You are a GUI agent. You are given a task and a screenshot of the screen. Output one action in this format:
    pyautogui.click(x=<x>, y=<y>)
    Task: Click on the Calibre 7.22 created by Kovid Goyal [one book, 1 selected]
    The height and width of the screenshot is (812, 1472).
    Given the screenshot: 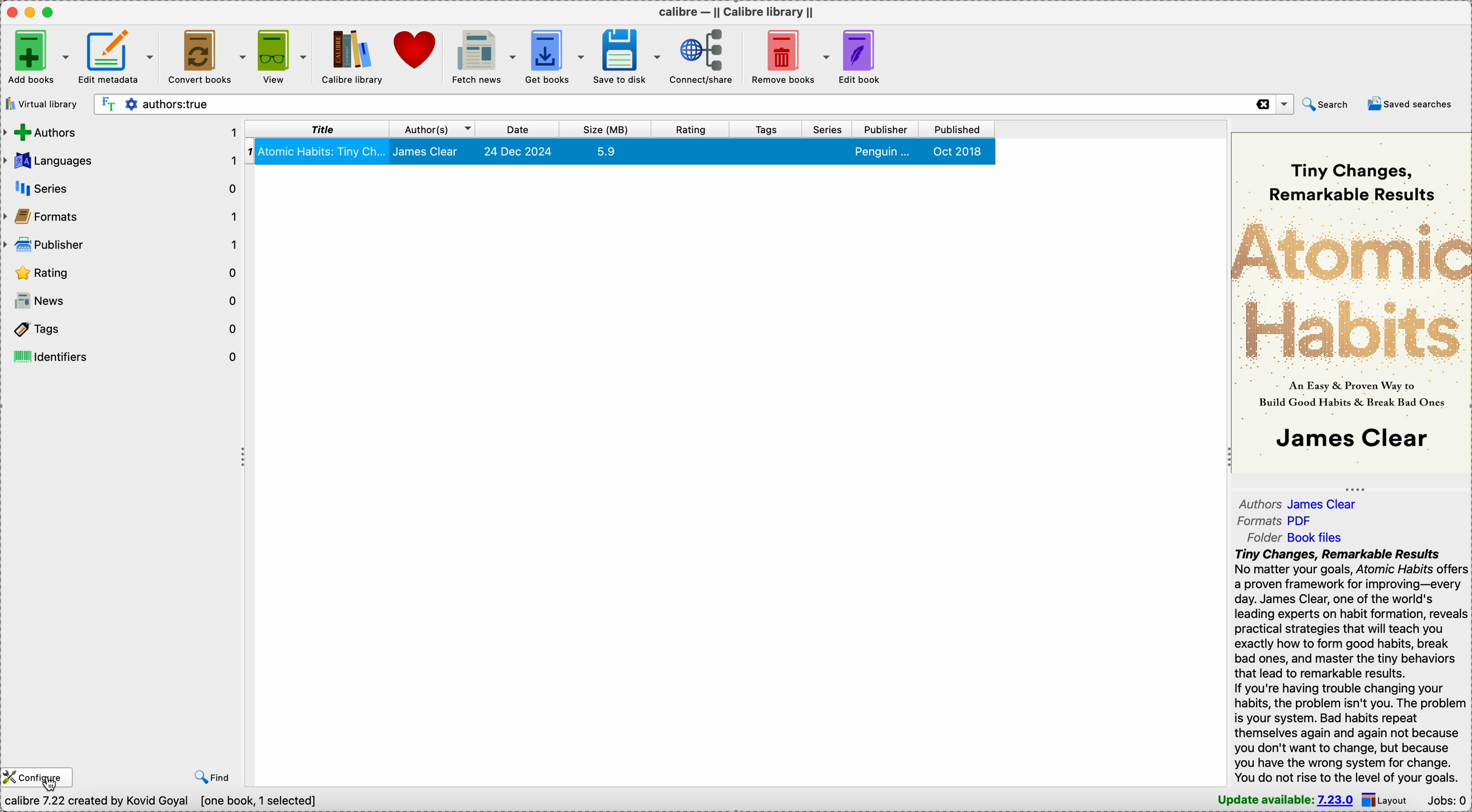 What is the action you would take?
    pyautogui.click(x=159, y=802)
    